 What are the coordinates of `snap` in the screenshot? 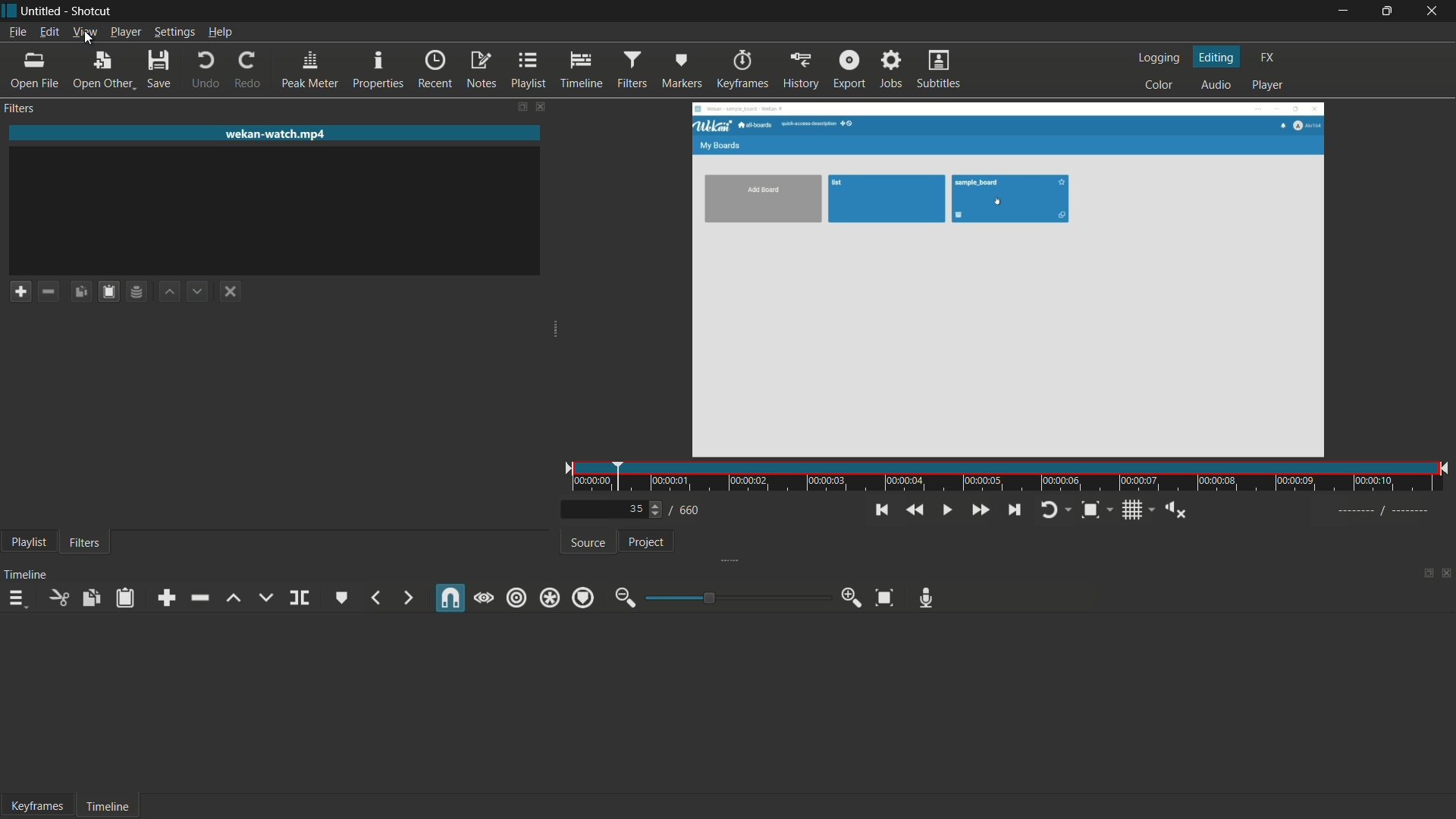 It's located at (449, 598).